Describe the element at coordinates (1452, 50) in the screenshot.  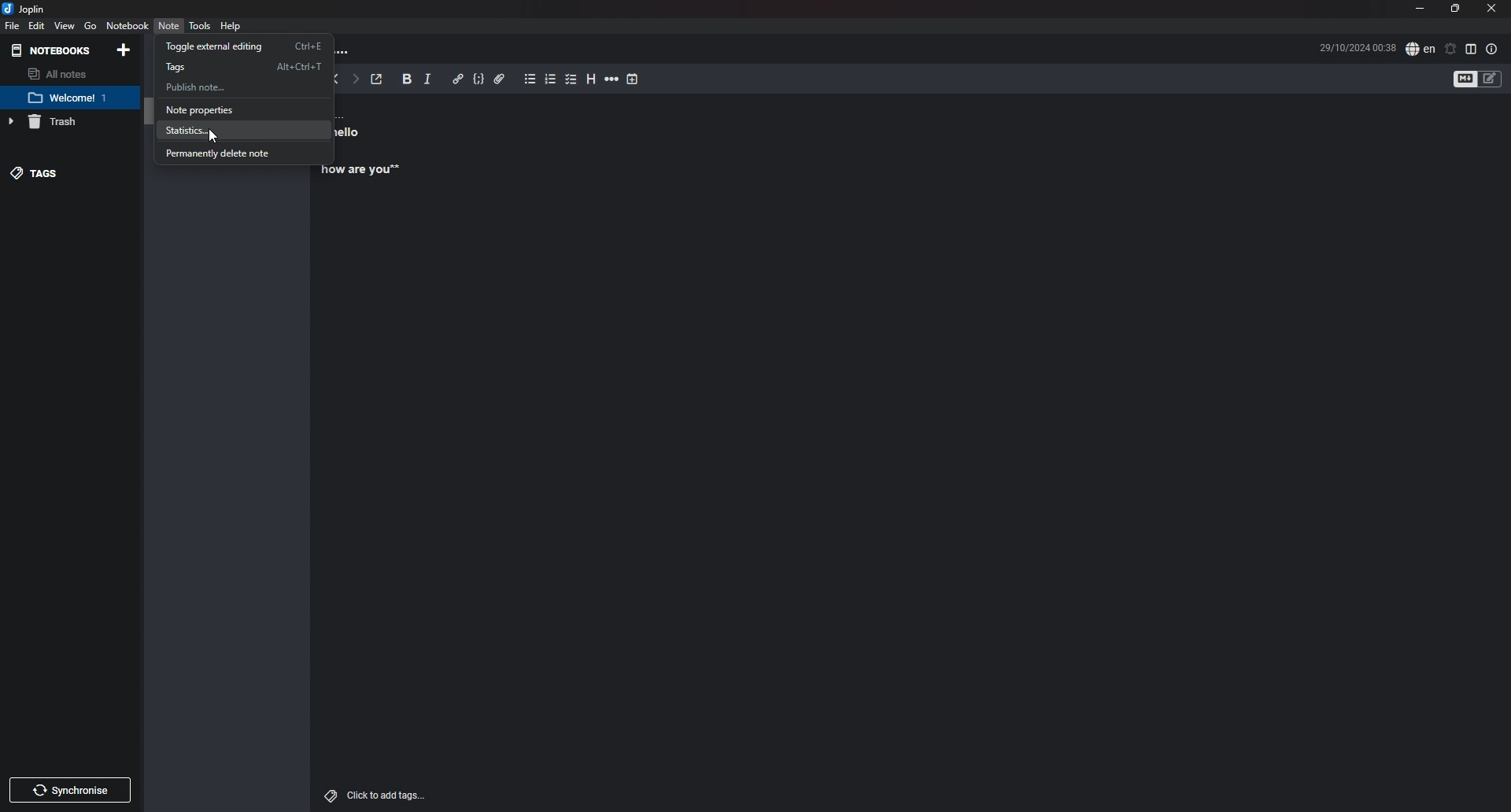
I see `Set alarm` at that location.